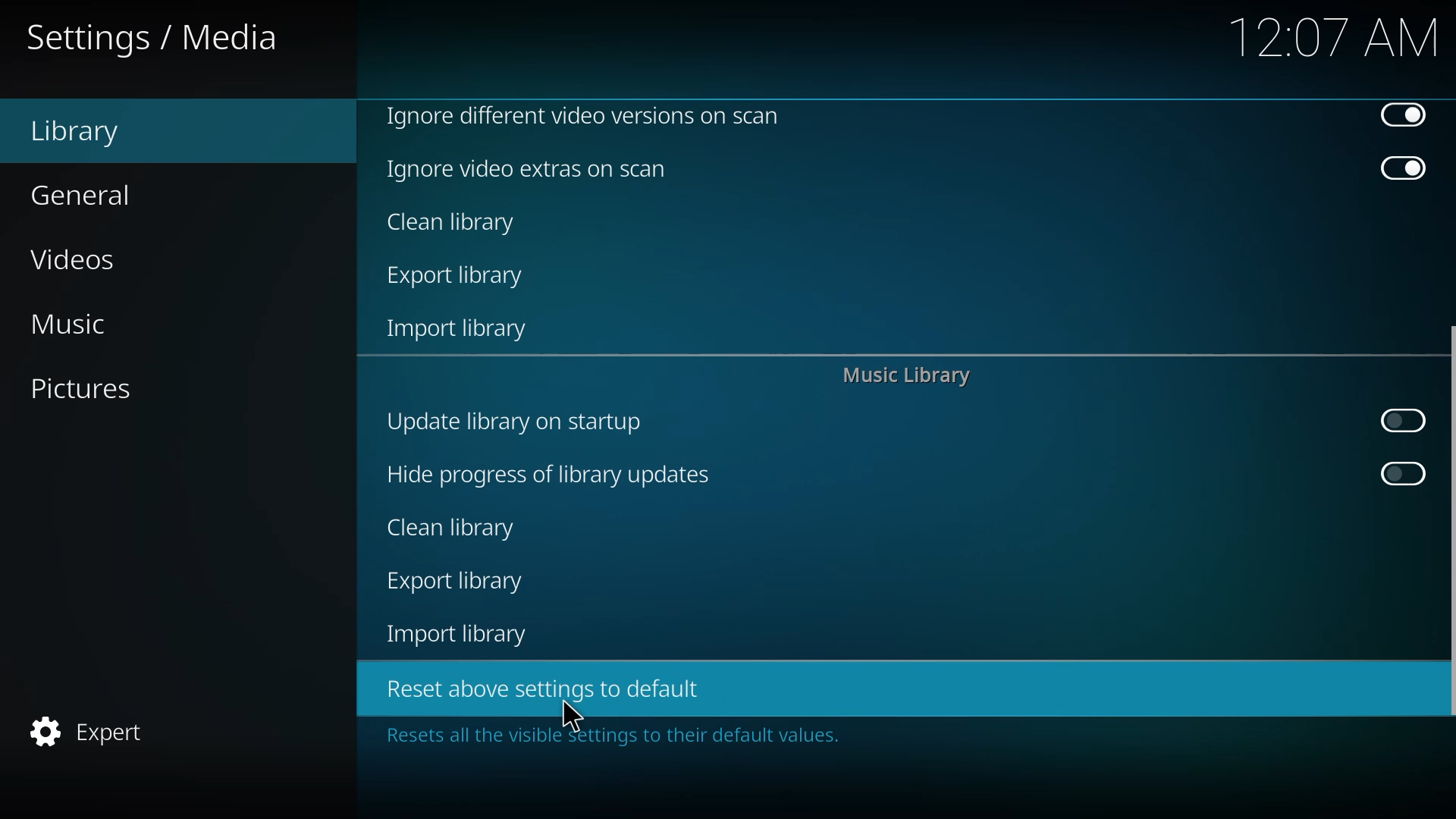  What do you see at coordinates (67, 324) in the screenshot?
I see `music` at bounding box center [67, 324].